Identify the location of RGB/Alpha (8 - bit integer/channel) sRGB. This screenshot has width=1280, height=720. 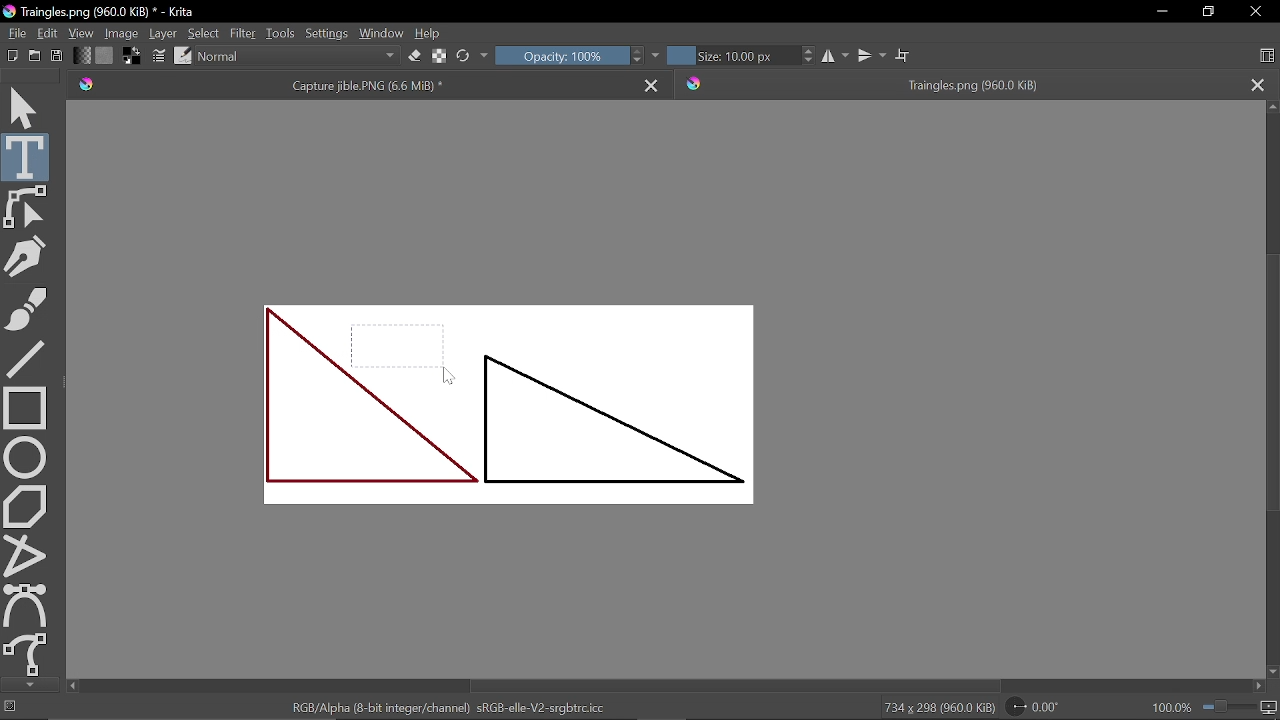
(455, 707).